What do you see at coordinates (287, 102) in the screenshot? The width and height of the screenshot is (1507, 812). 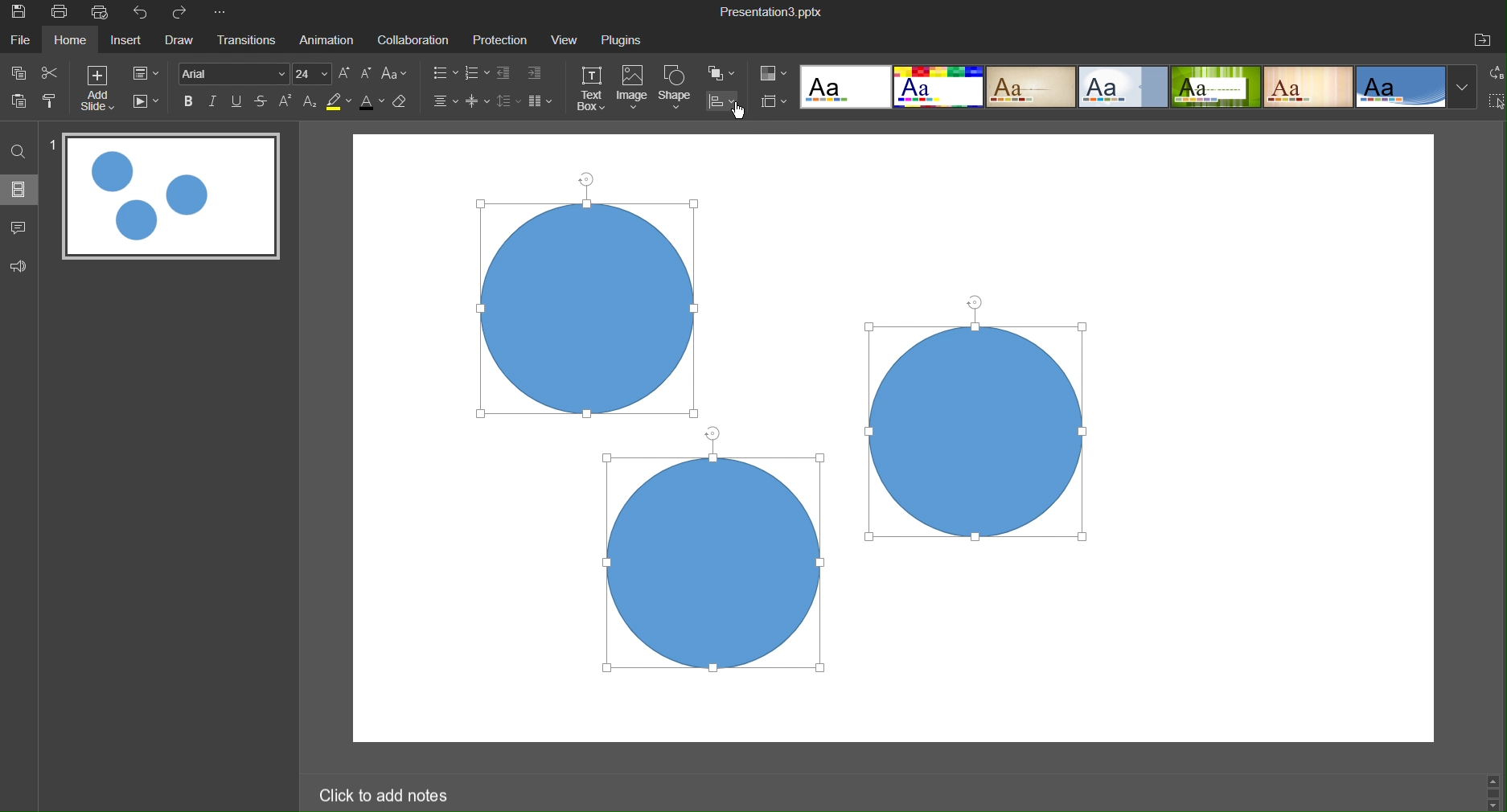 I see `Superscript` at bounding box center [287, 102].